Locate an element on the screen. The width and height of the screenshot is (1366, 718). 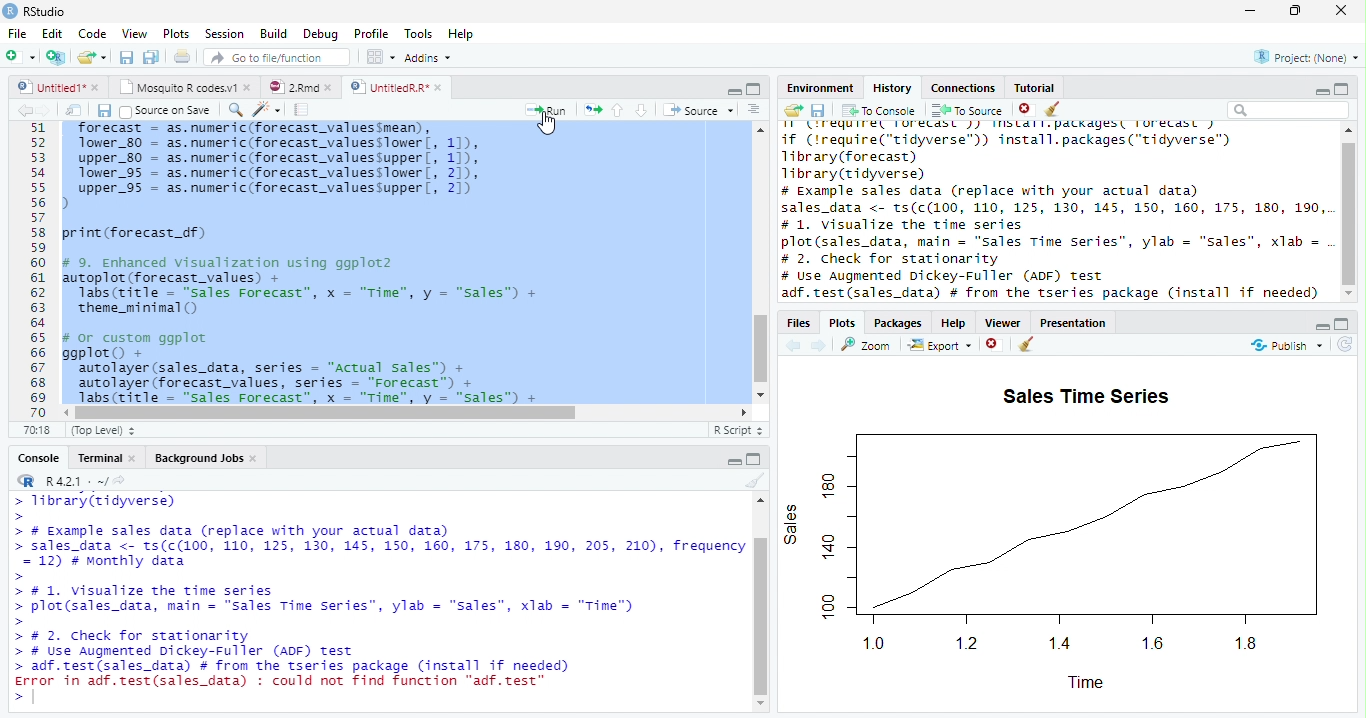
Scroll  is located at coordinates (759, 262).